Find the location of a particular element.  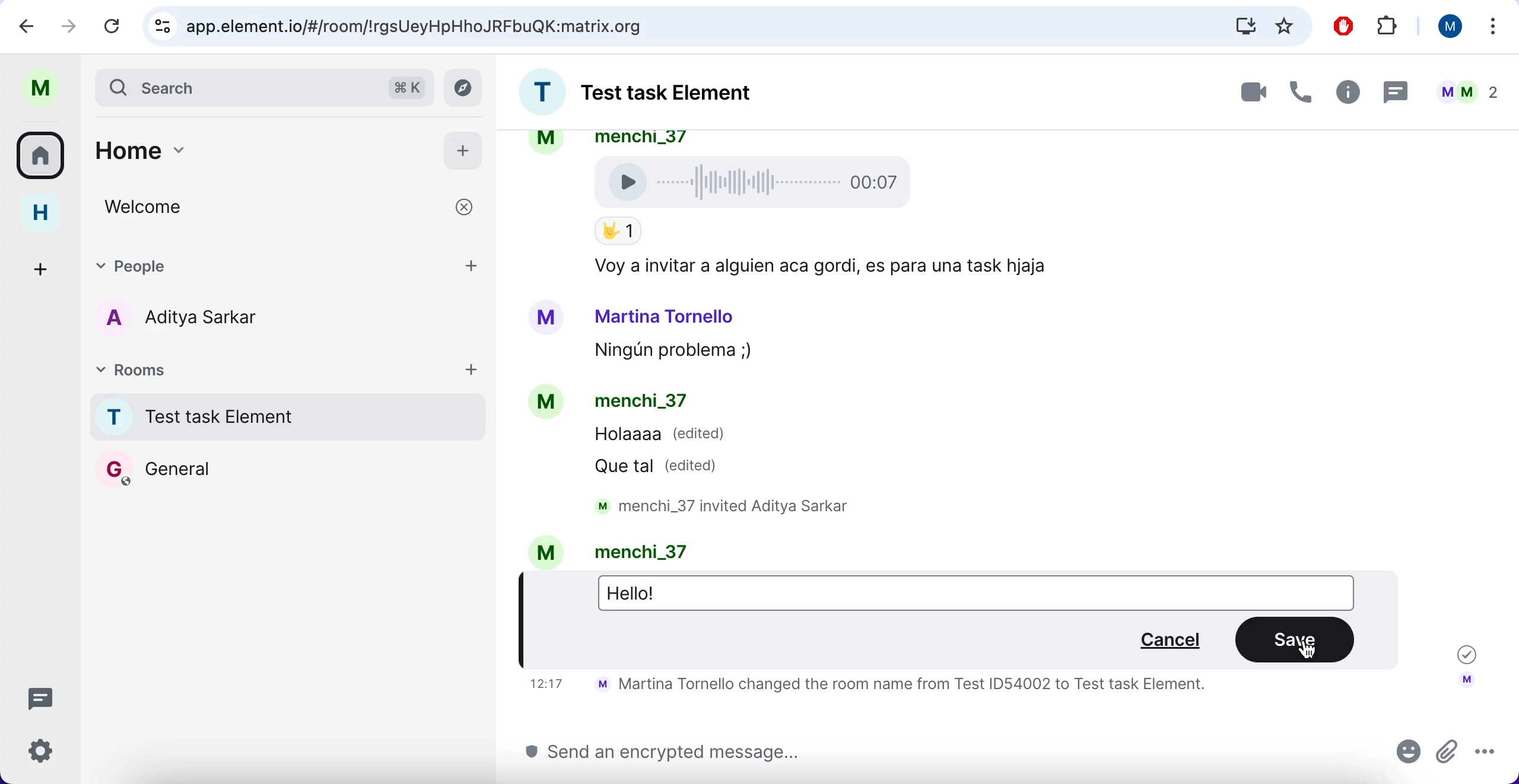

add is located at coordinates (464, 151).